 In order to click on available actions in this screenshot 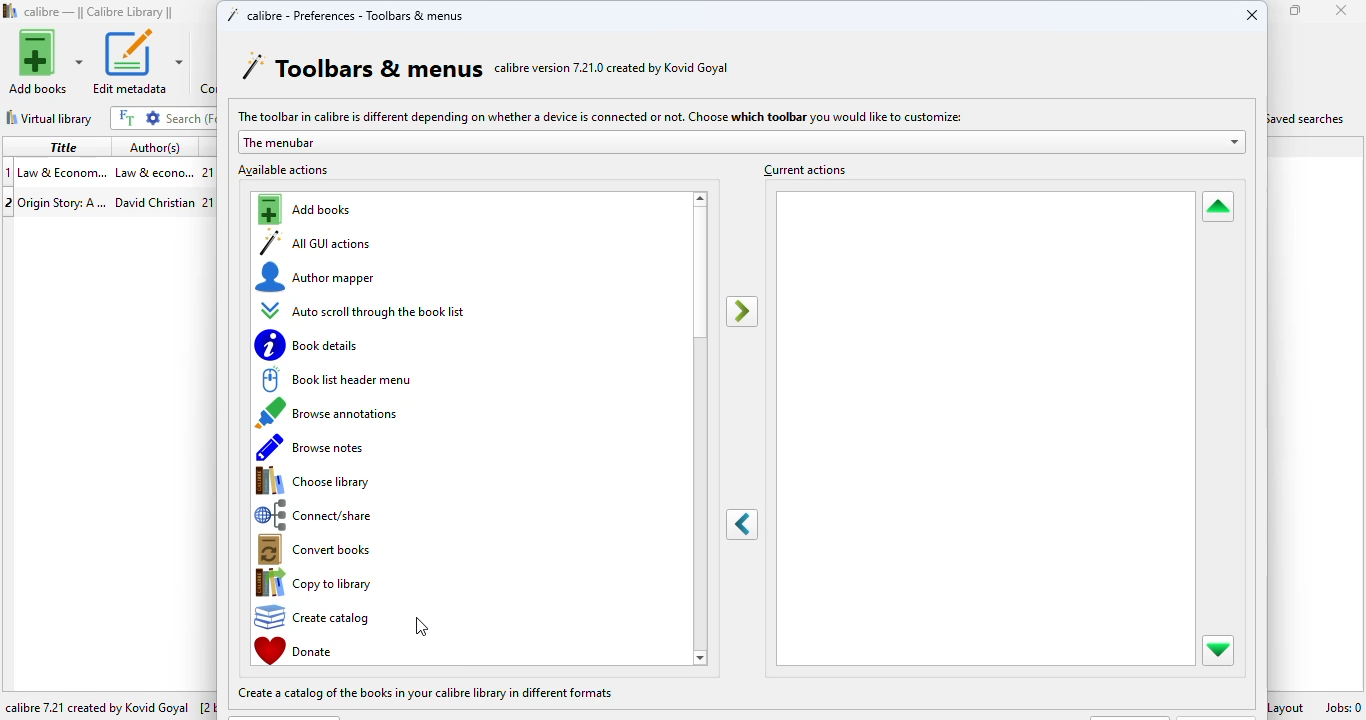, I will do `click(284, 170)`.